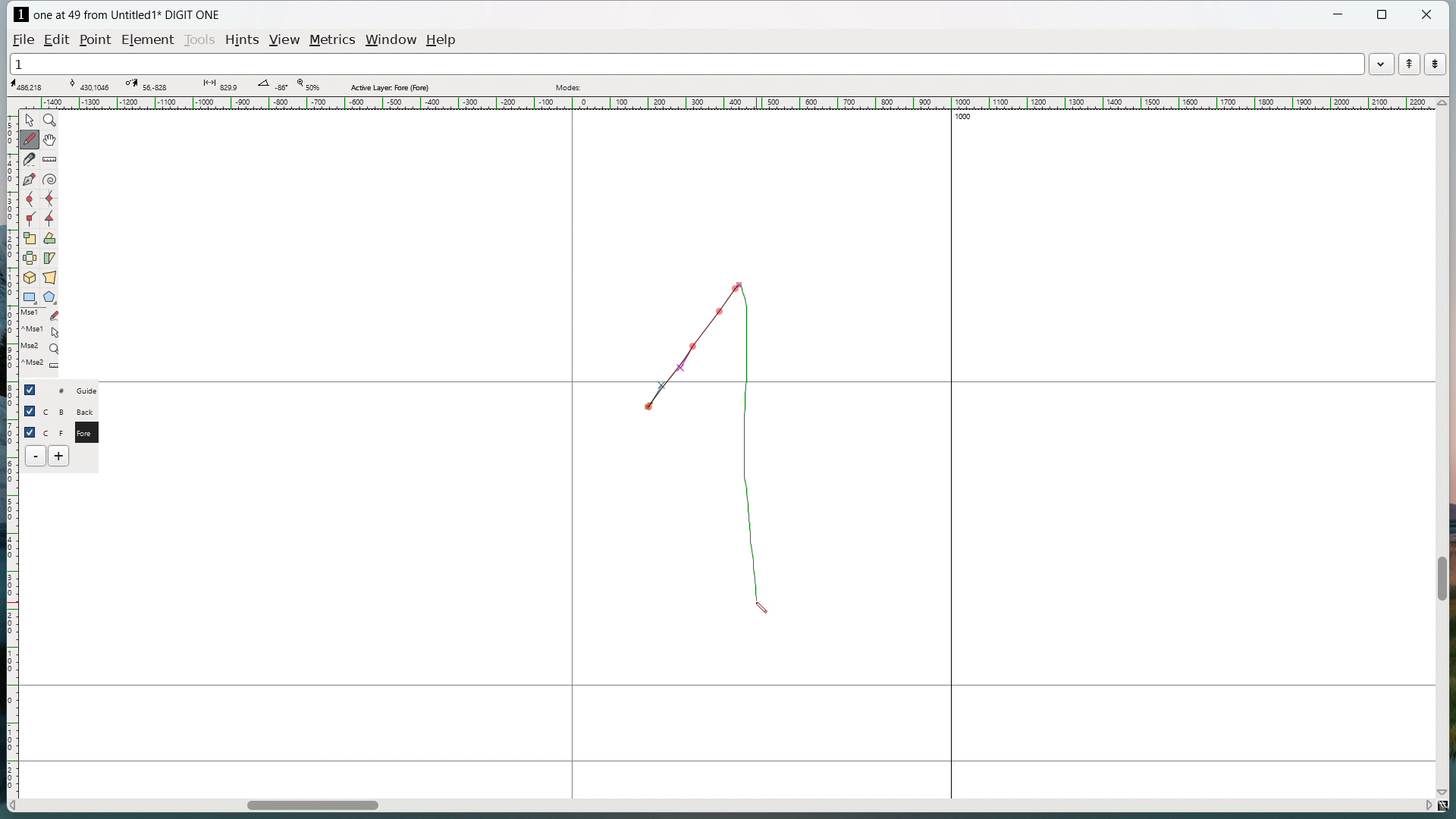 Image resolution: width=1456 pixels, height=819 pixels. I want to click on help, so click(442, 40).